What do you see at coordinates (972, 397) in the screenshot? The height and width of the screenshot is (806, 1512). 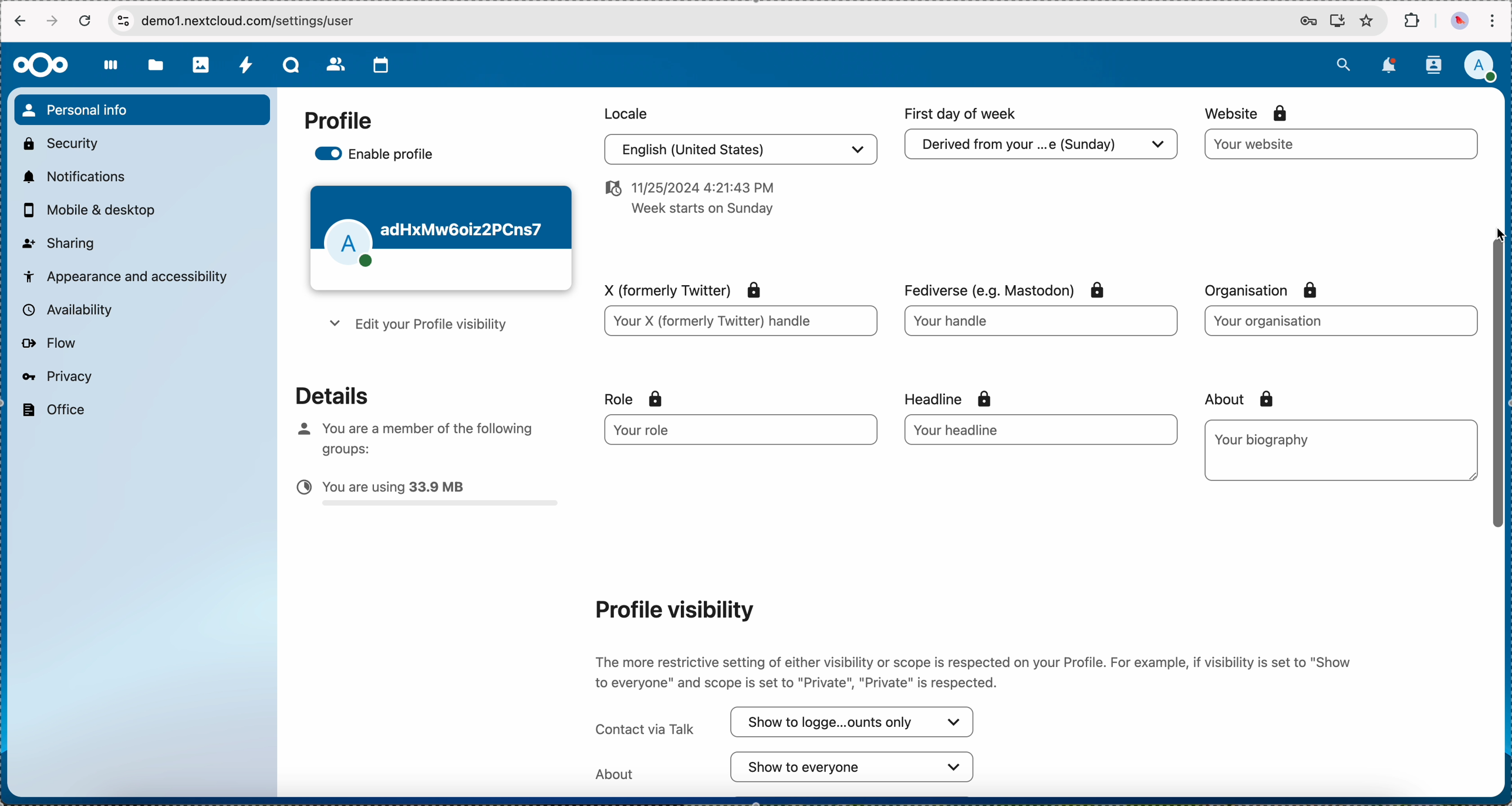 I see `headline` at bounding box center [972, 397].